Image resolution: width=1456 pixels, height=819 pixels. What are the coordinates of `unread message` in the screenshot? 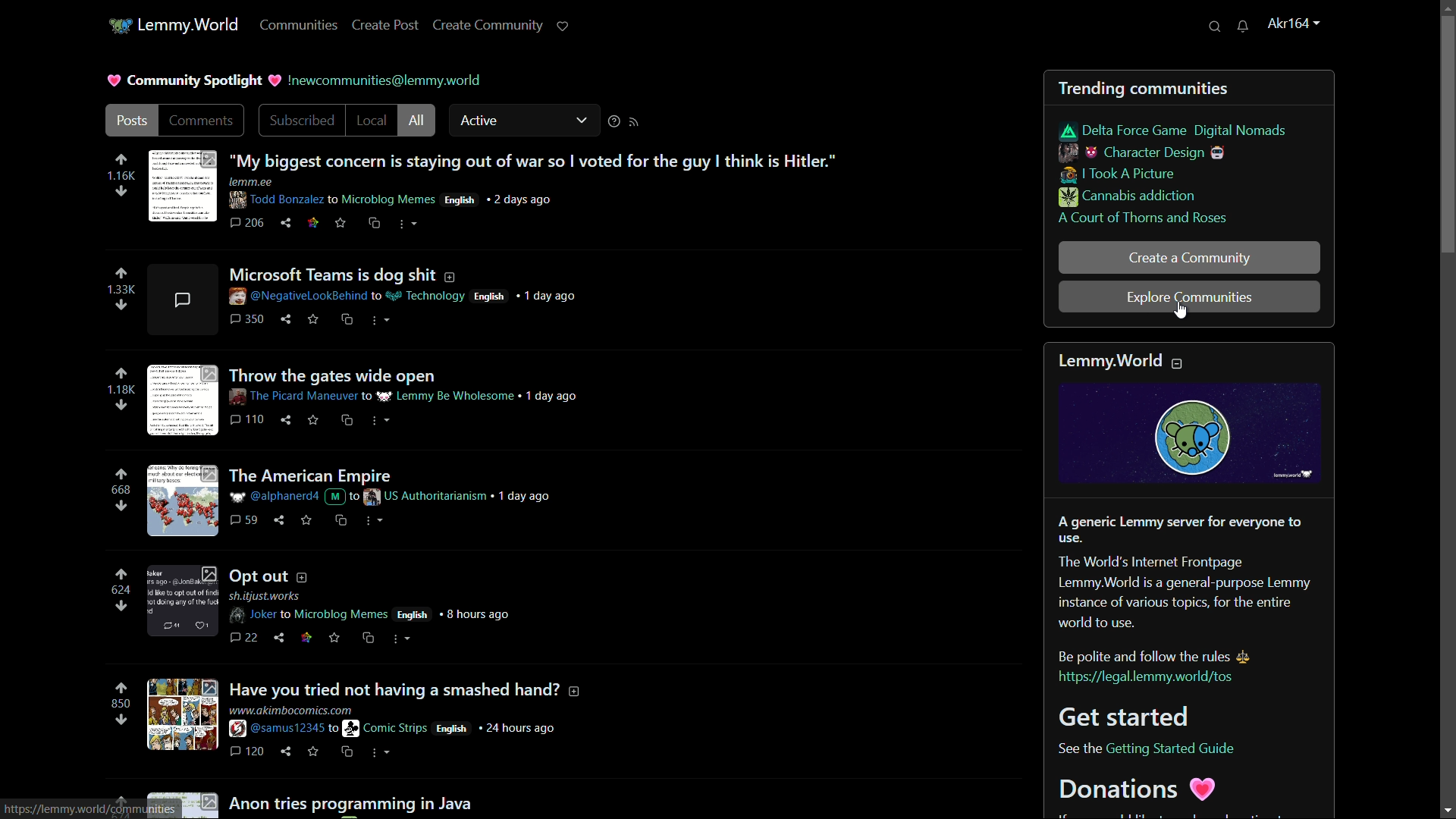 It's located at (1248, 27).